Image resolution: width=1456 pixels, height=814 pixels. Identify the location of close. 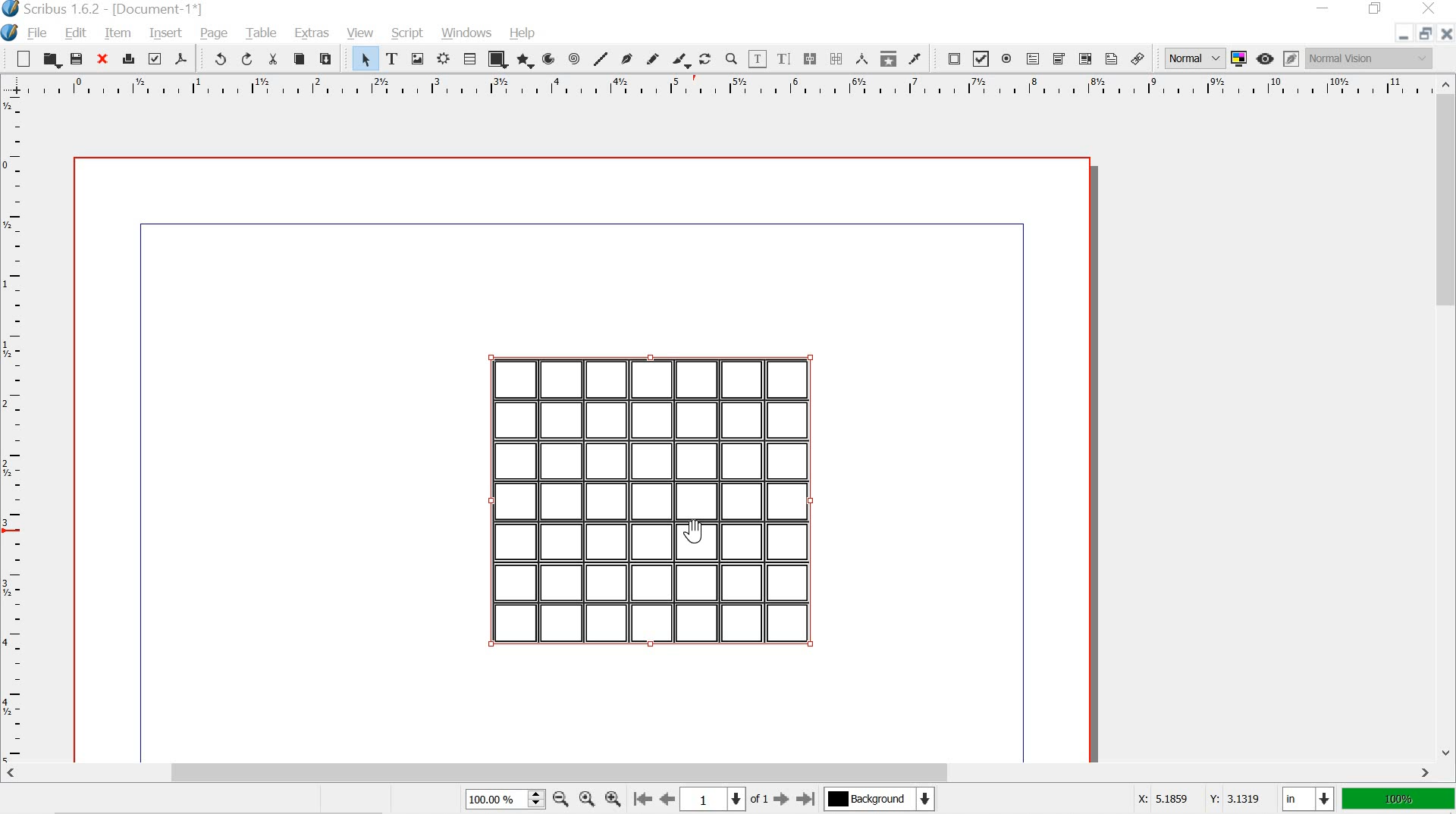
(1432, 9).